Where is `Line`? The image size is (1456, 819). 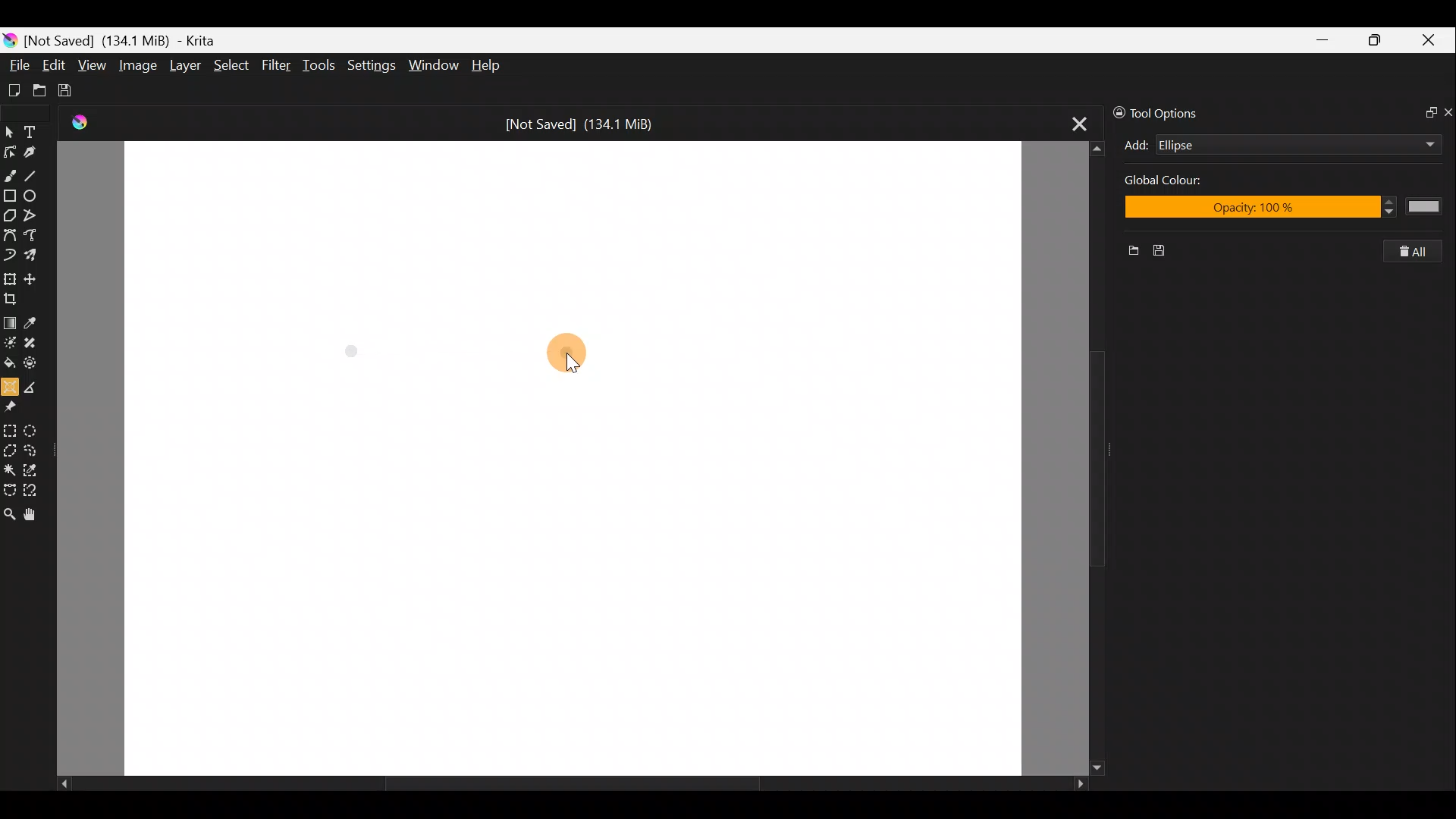
Line is located at coordinates (37, 175).